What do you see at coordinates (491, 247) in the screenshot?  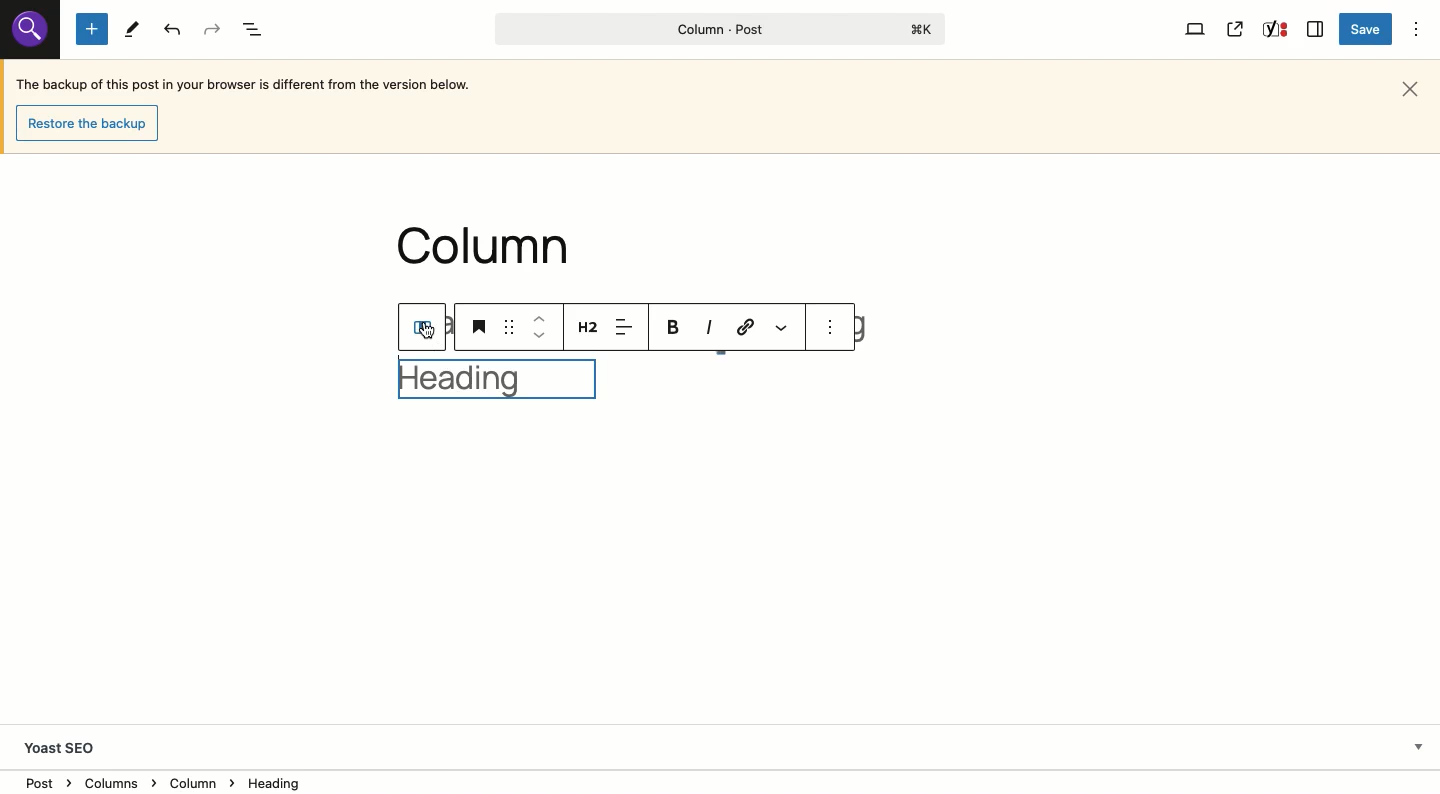 I see `column` at bounding box center [491, 247].